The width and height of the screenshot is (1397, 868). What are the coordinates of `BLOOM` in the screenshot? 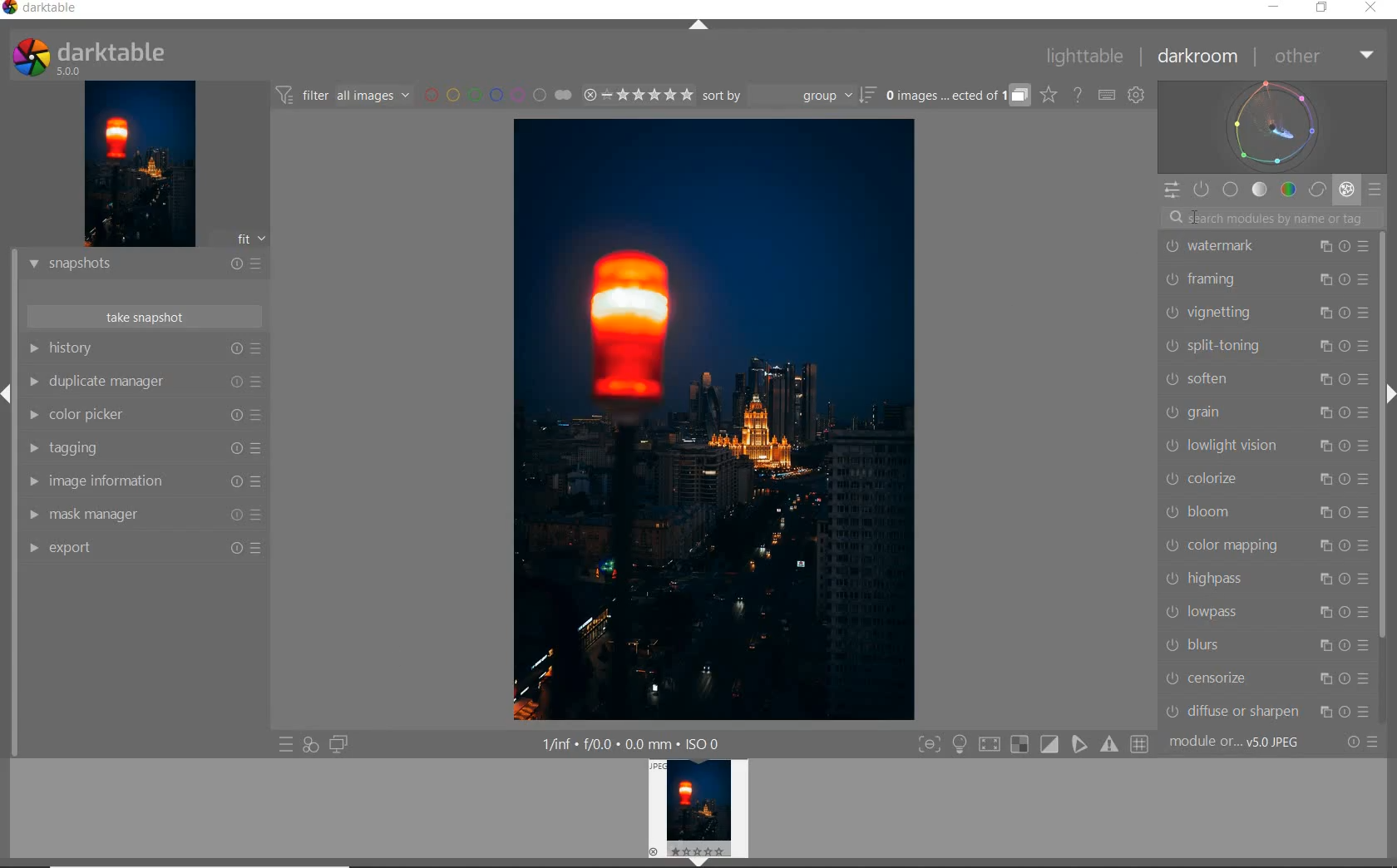 It's located at (1222, 509).